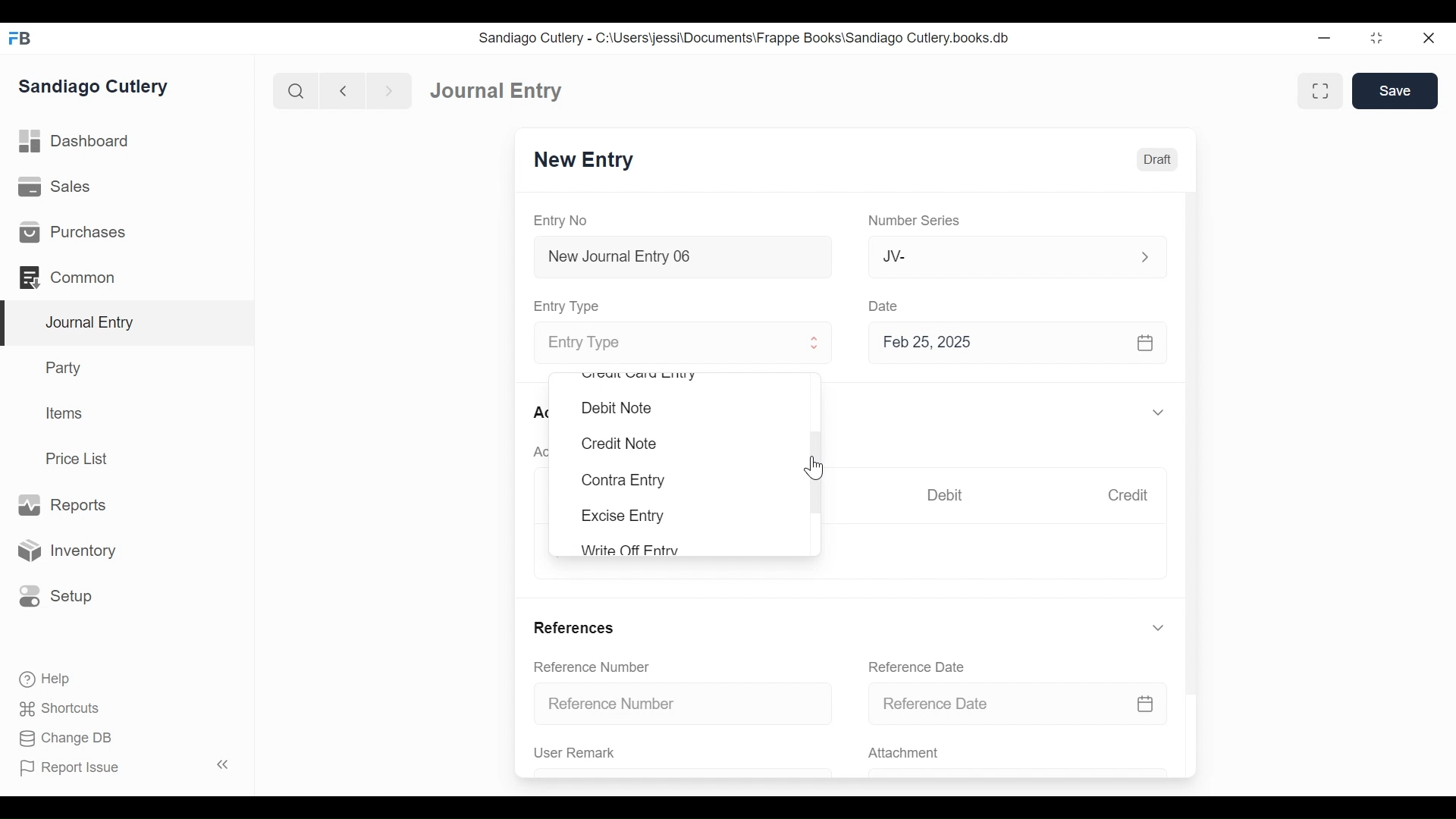  Describe the element at coordinates (82, 459) in the screenshot. I see `Price List` at that location.